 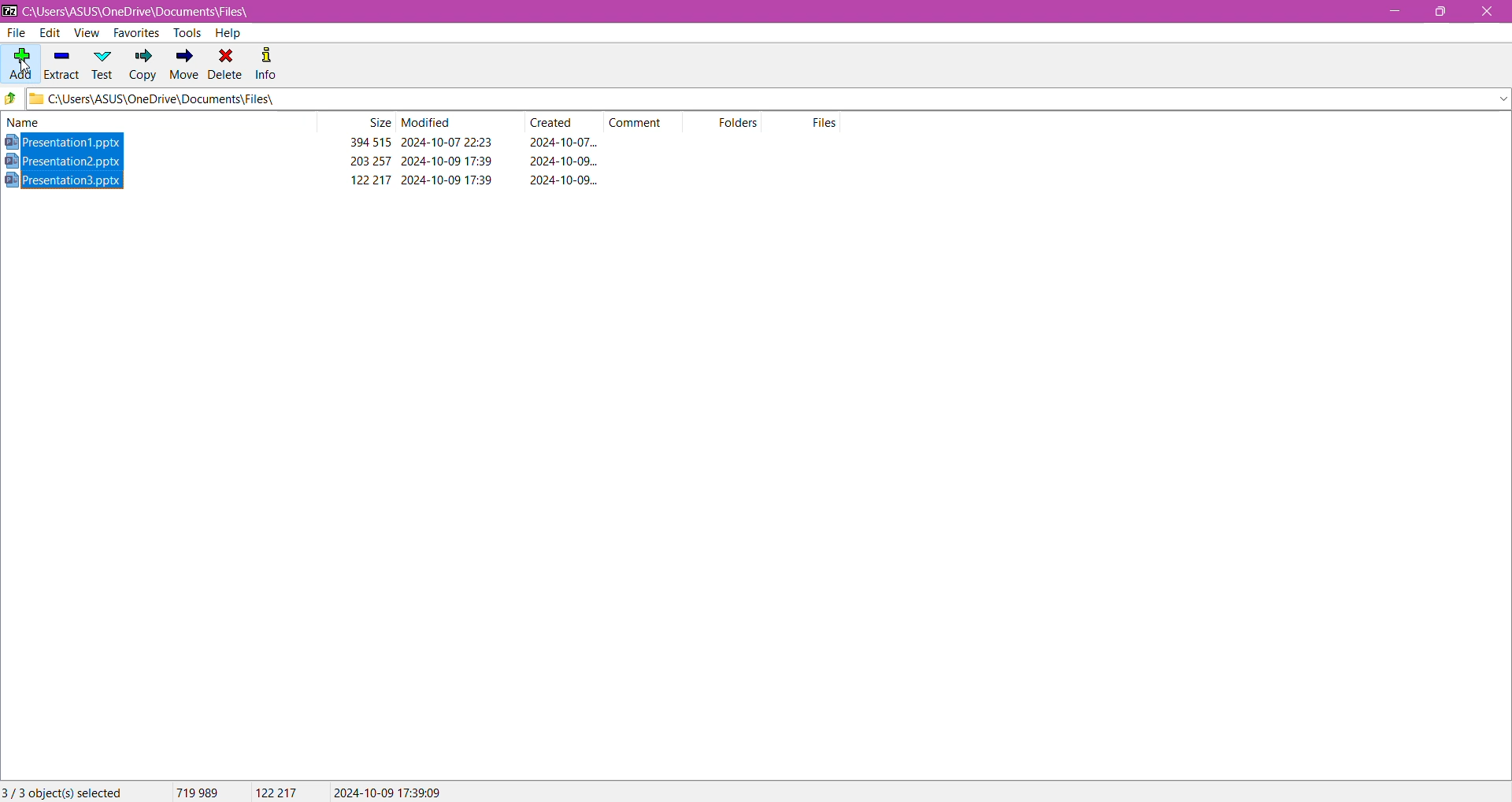 What do you see at coordinates (143, 66) in the screenshot?
I see `Copy` at bounding box center [143, 66].